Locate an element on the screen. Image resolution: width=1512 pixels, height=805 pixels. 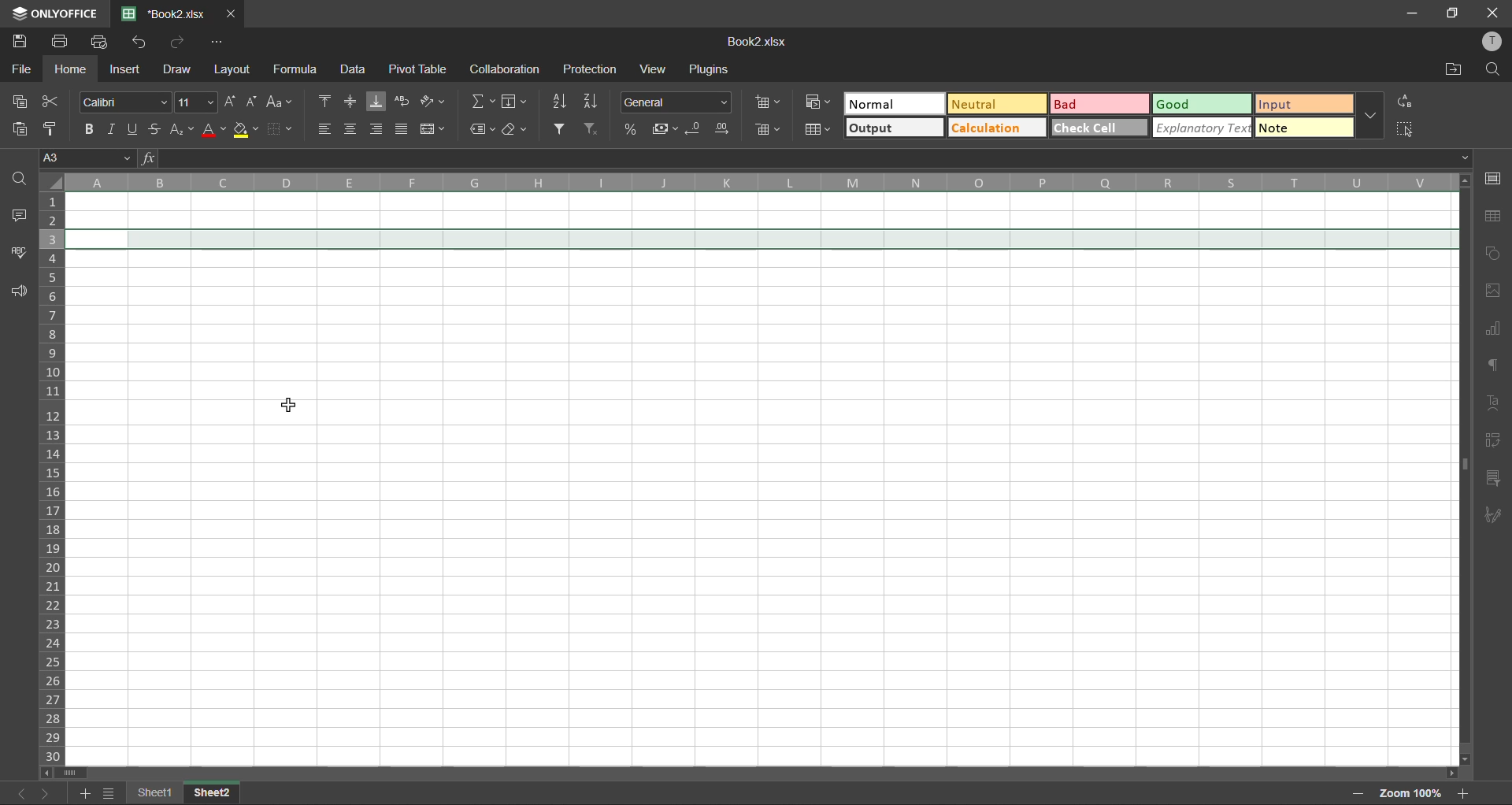
data is located at coordinates (352, 69).